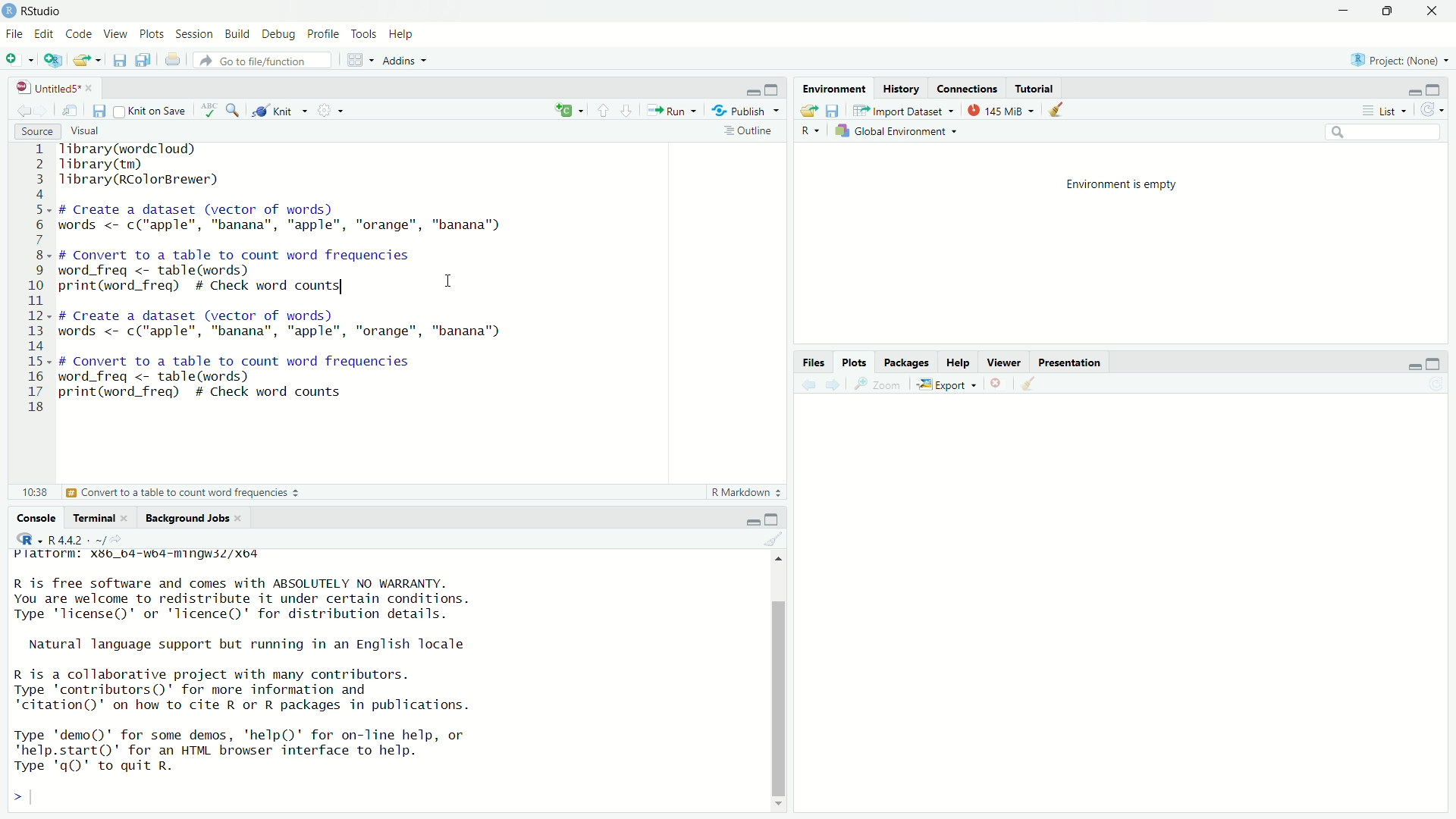  Describe the element at coordinates (45, 33) in the screenshot. I see `Edit` at that location.